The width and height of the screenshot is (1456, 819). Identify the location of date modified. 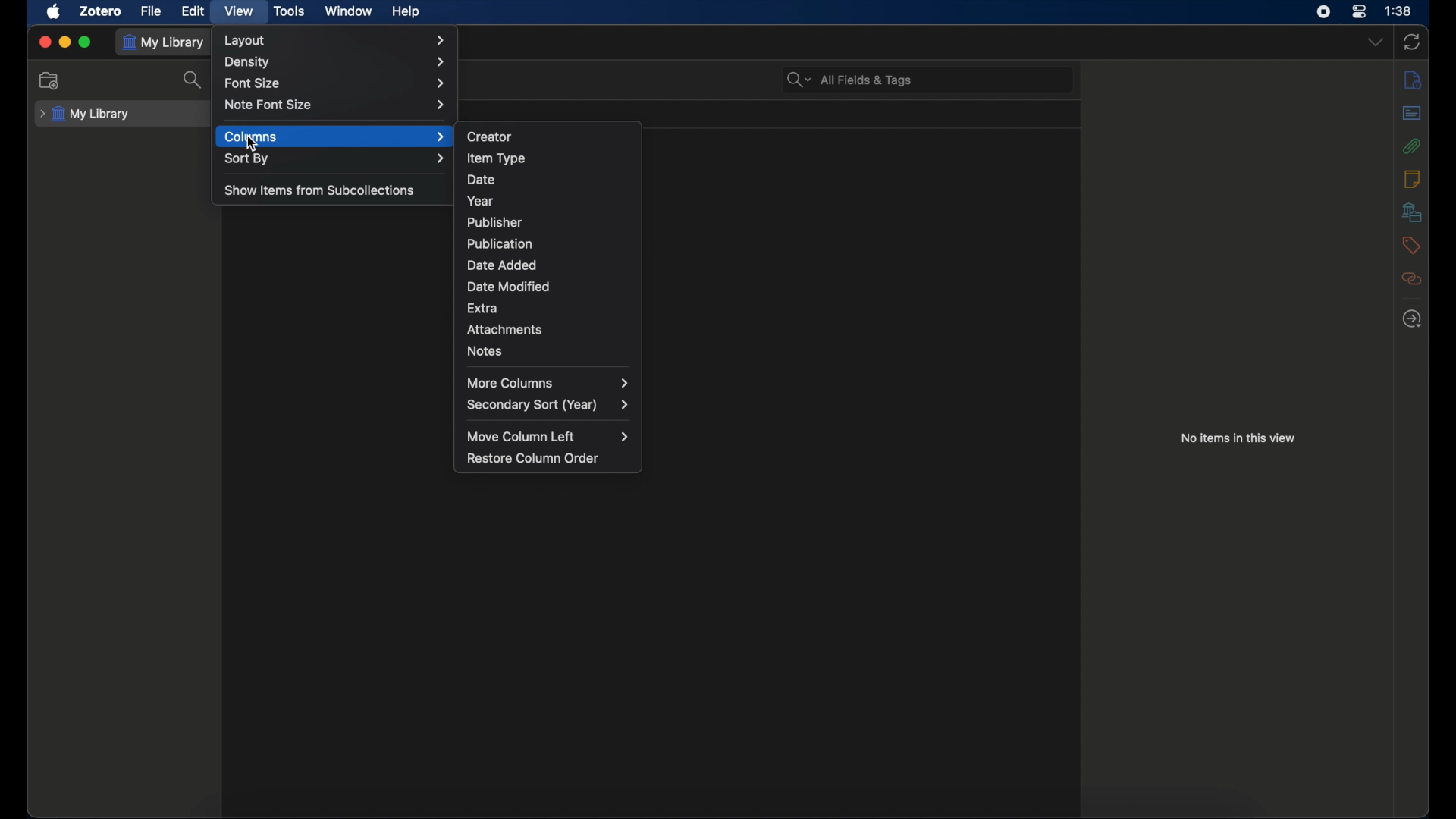
(509, 287).